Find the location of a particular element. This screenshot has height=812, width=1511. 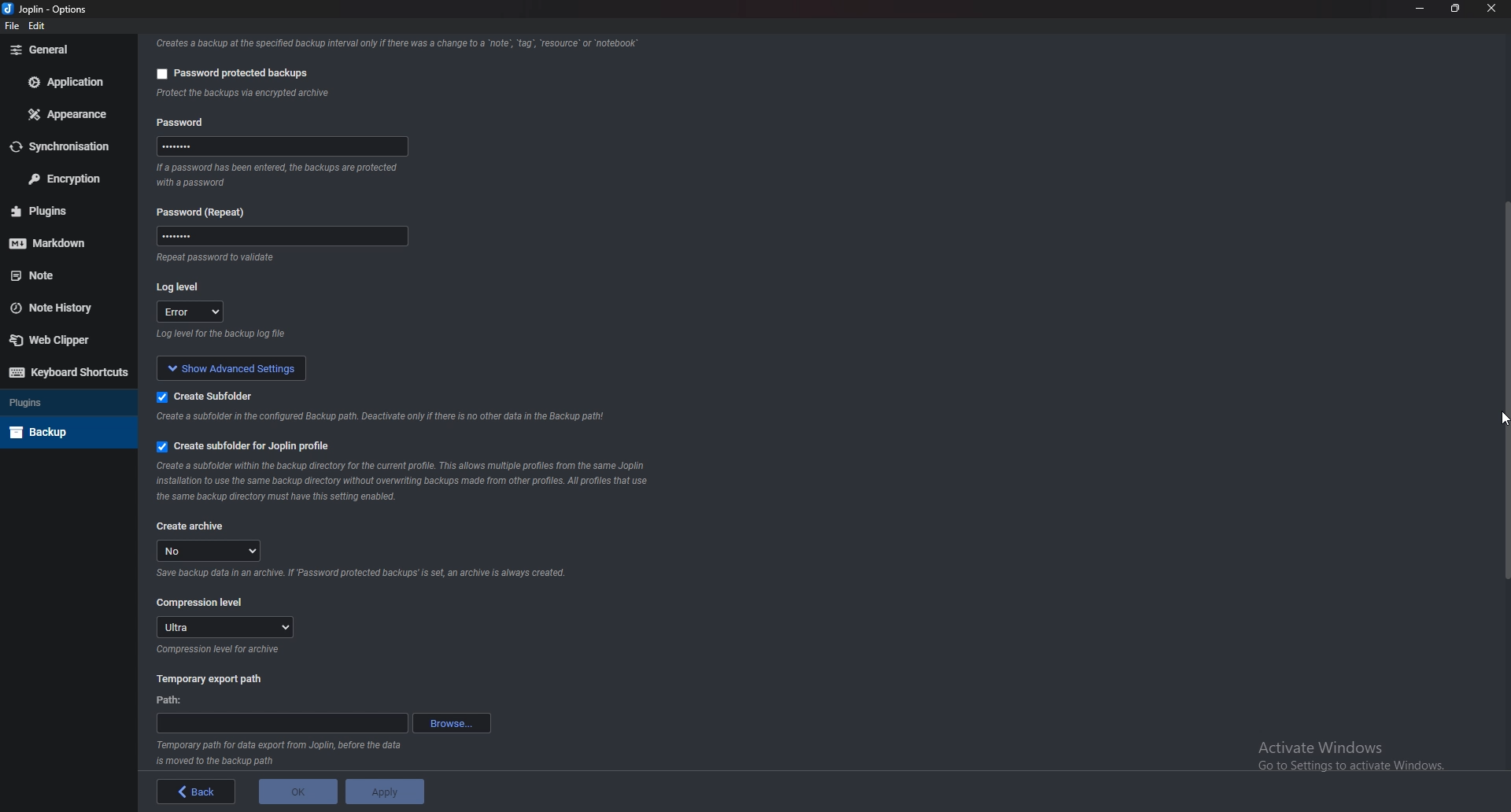

Scroll bar is located at coordinates (1502, 334).